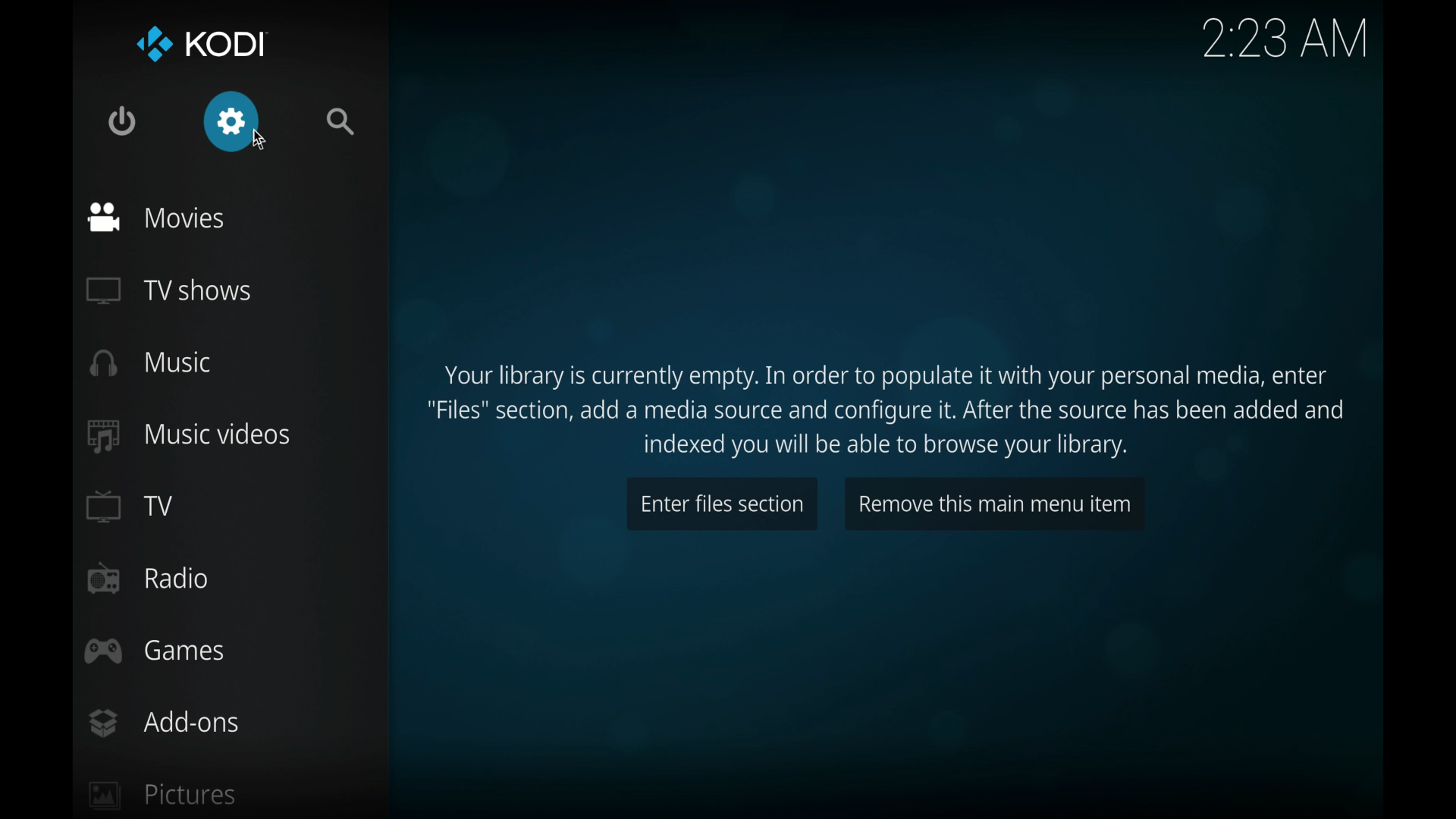 This screenshot has width=1456, height=819. Describe the element at coordinates (153, 47) in the screenshot. I see `kodi logo` at that location.